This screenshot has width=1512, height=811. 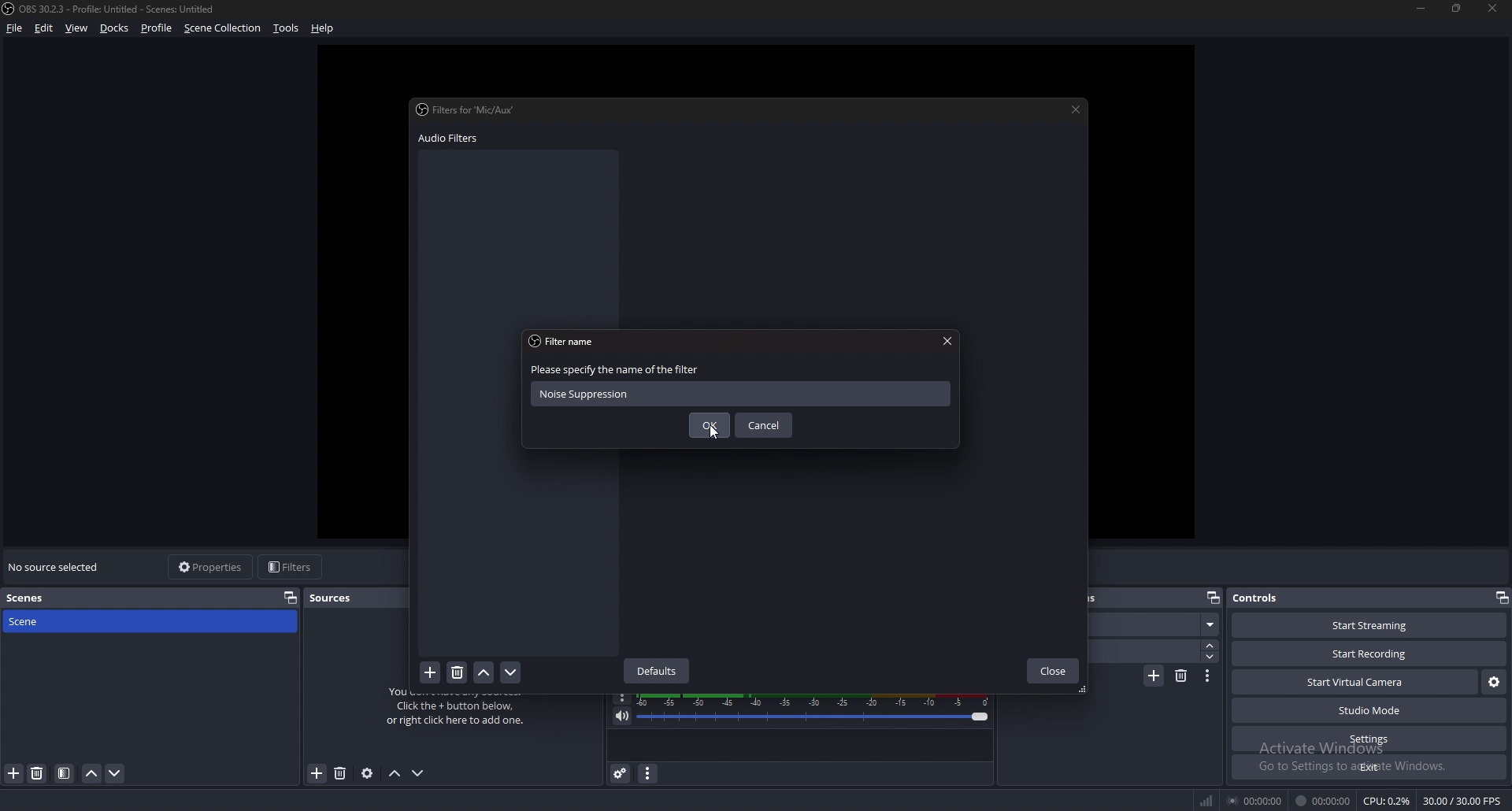 I want to click on move scene down, so click(x=114, y=774).